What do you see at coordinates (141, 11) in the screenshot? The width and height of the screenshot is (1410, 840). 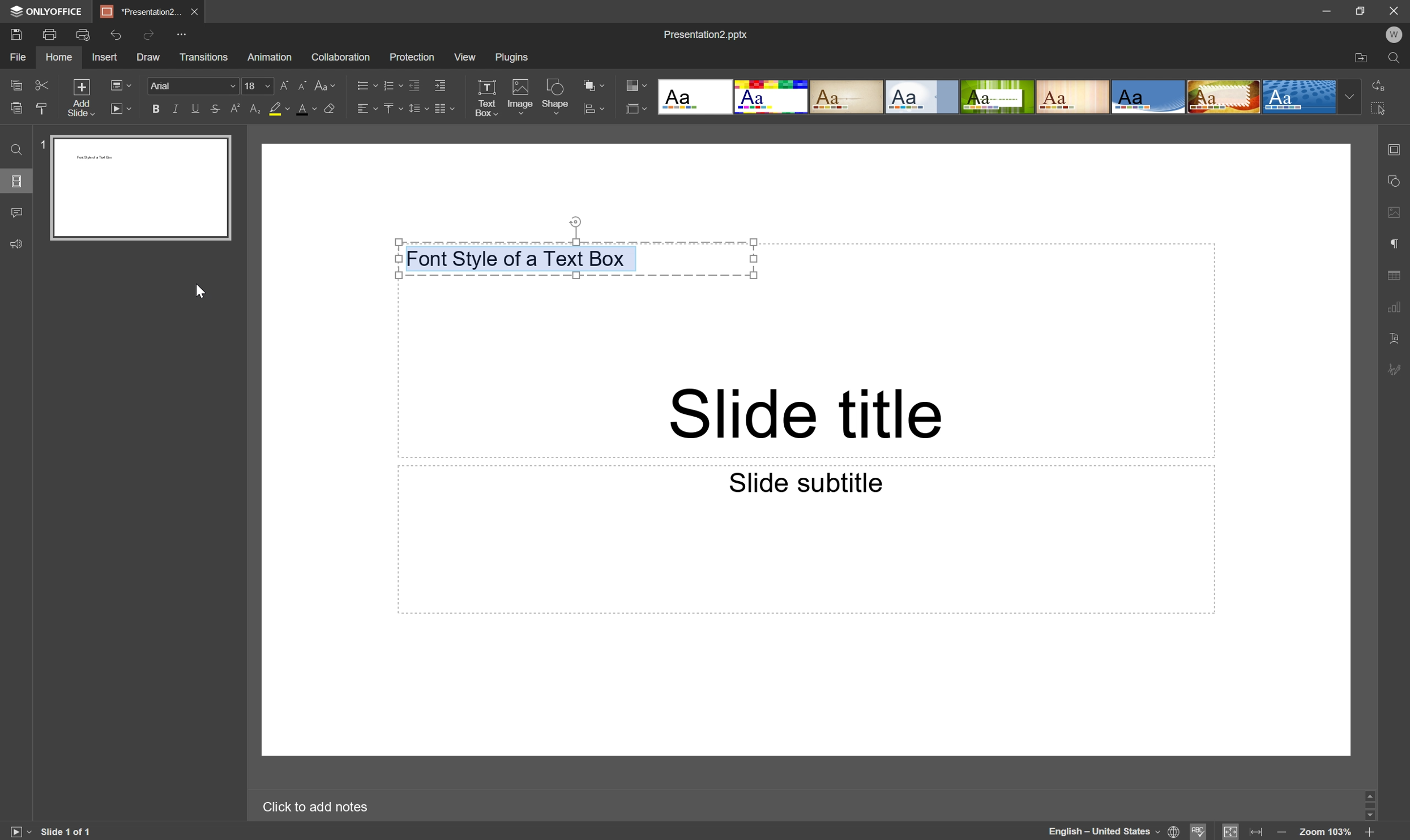 I see `*Presentation2...` at bounding box center [141, 11].